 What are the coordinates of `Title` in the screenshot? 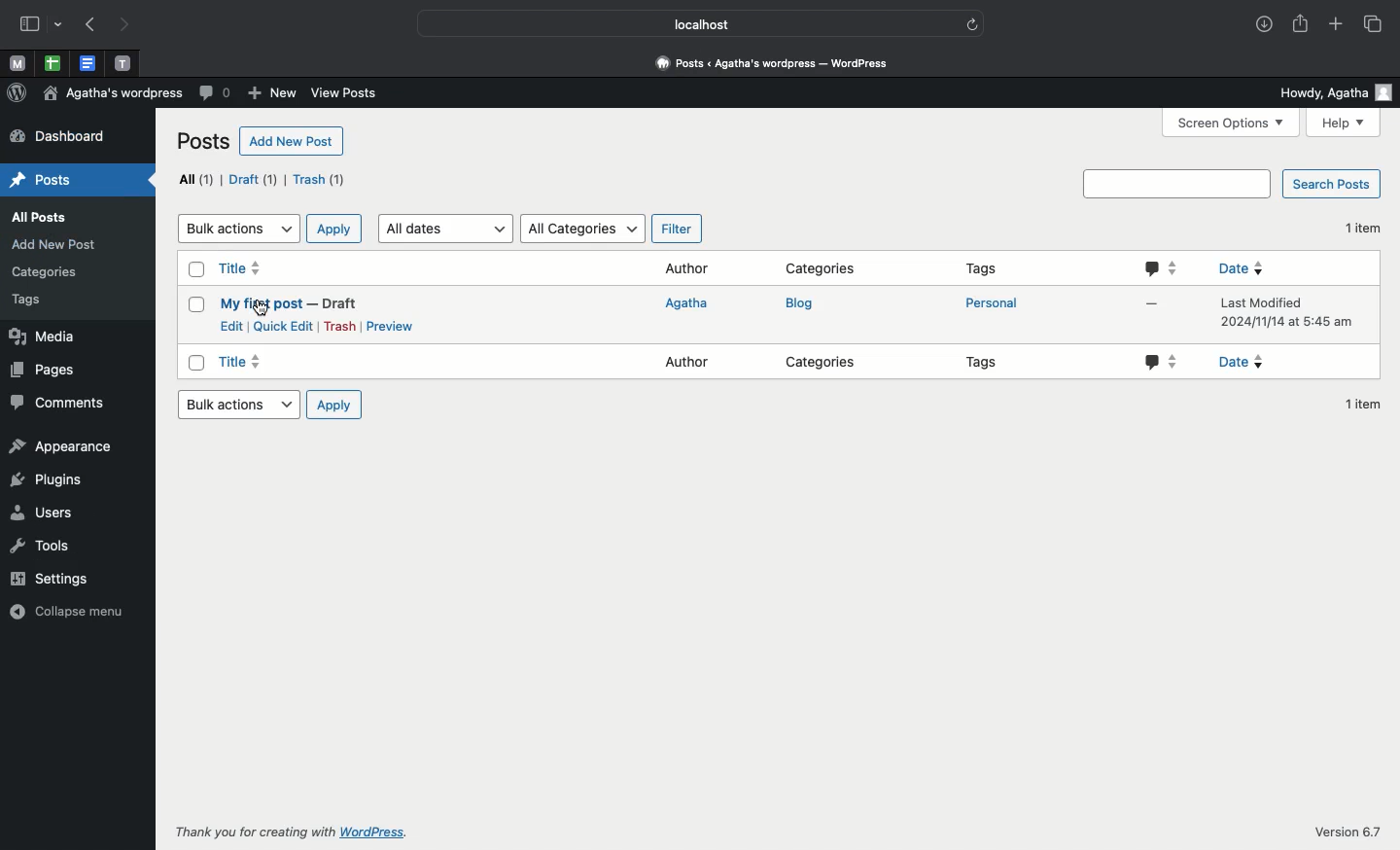 It's located at (243, 361).